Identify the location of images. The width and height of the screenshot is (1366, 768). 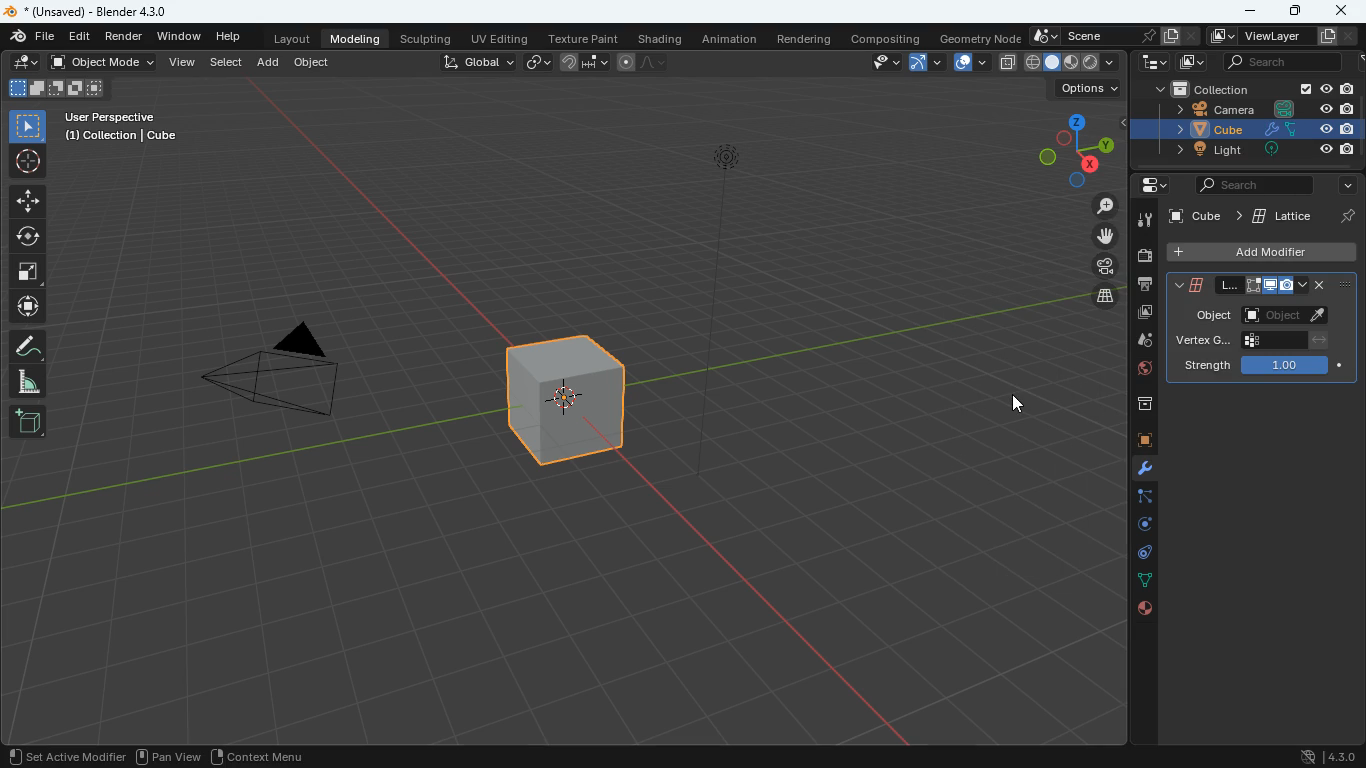
(1192, 62).